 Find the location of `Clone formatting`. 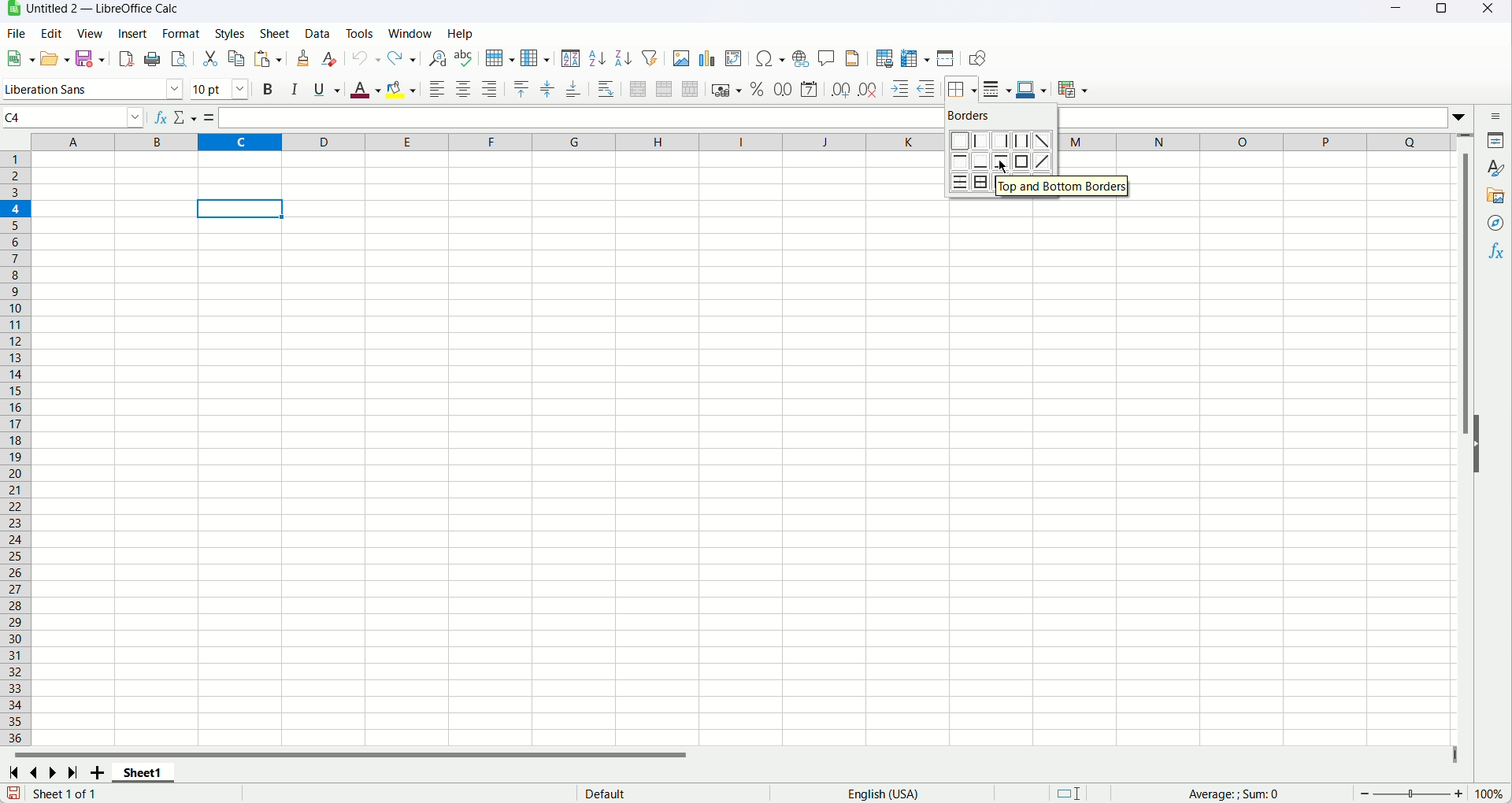

Clone formatting is located at coordinates (302, 58).